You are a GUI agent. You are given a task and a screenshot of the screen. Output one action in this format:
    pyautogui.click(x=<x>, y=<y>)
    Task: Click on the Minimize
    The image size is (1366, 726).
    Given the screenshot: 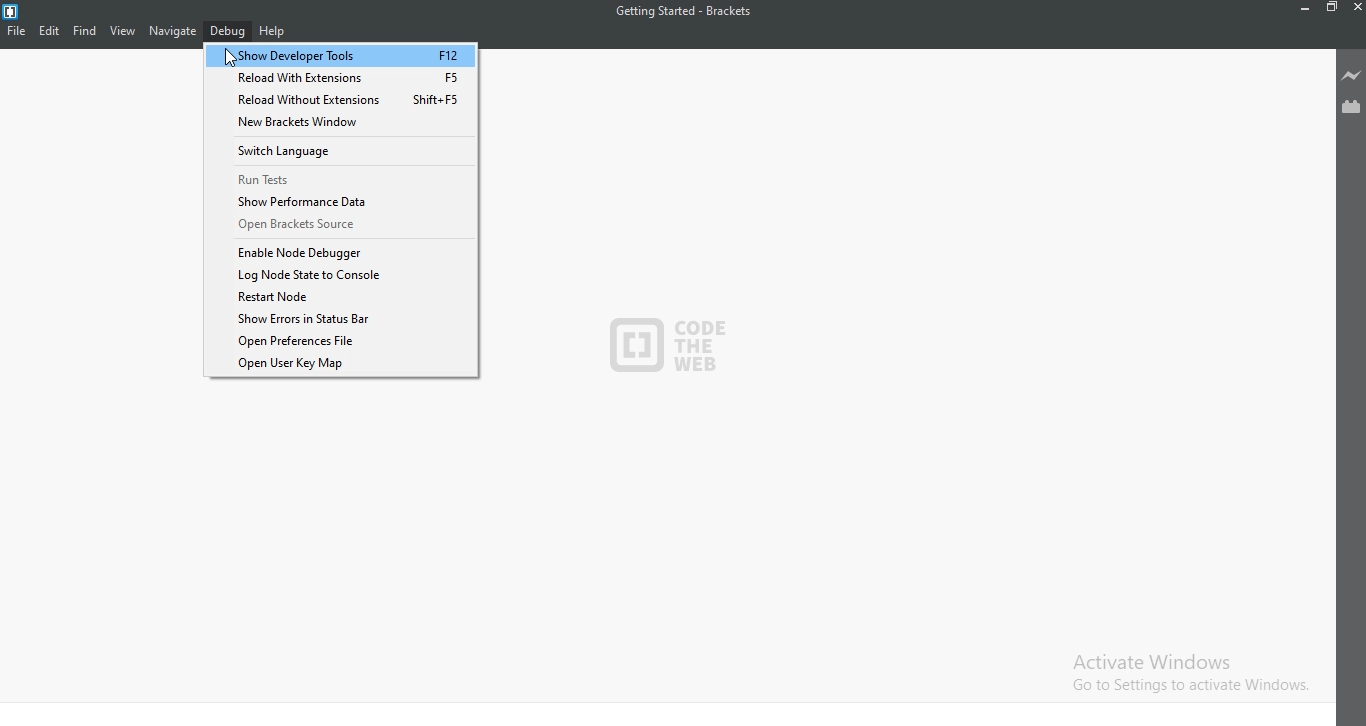 What is the action you would take?
    pyautogui.click(x=1305, y=8)
    